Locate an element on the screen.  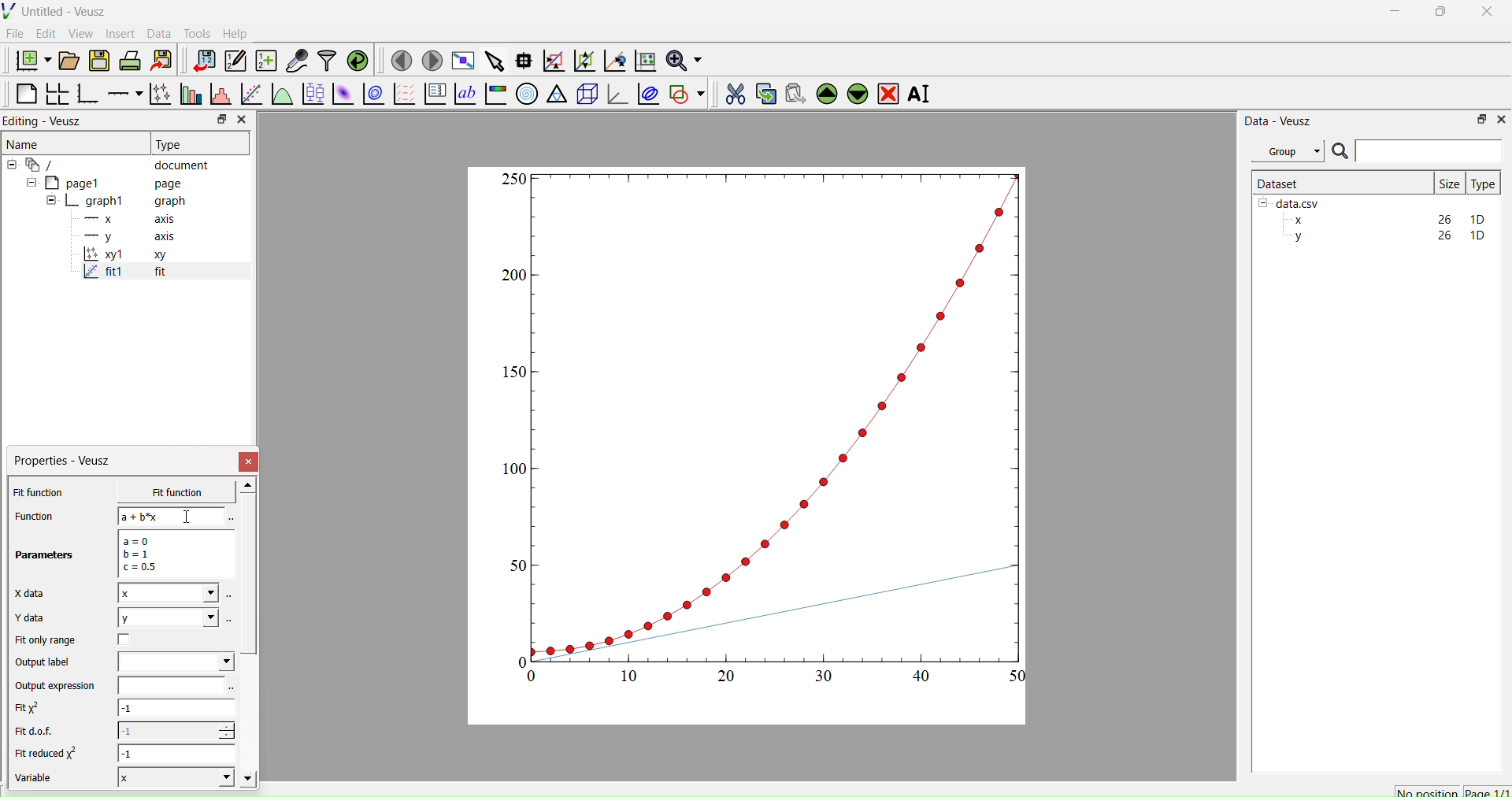
Reload linked dataset is located at coordinates (356, 59).